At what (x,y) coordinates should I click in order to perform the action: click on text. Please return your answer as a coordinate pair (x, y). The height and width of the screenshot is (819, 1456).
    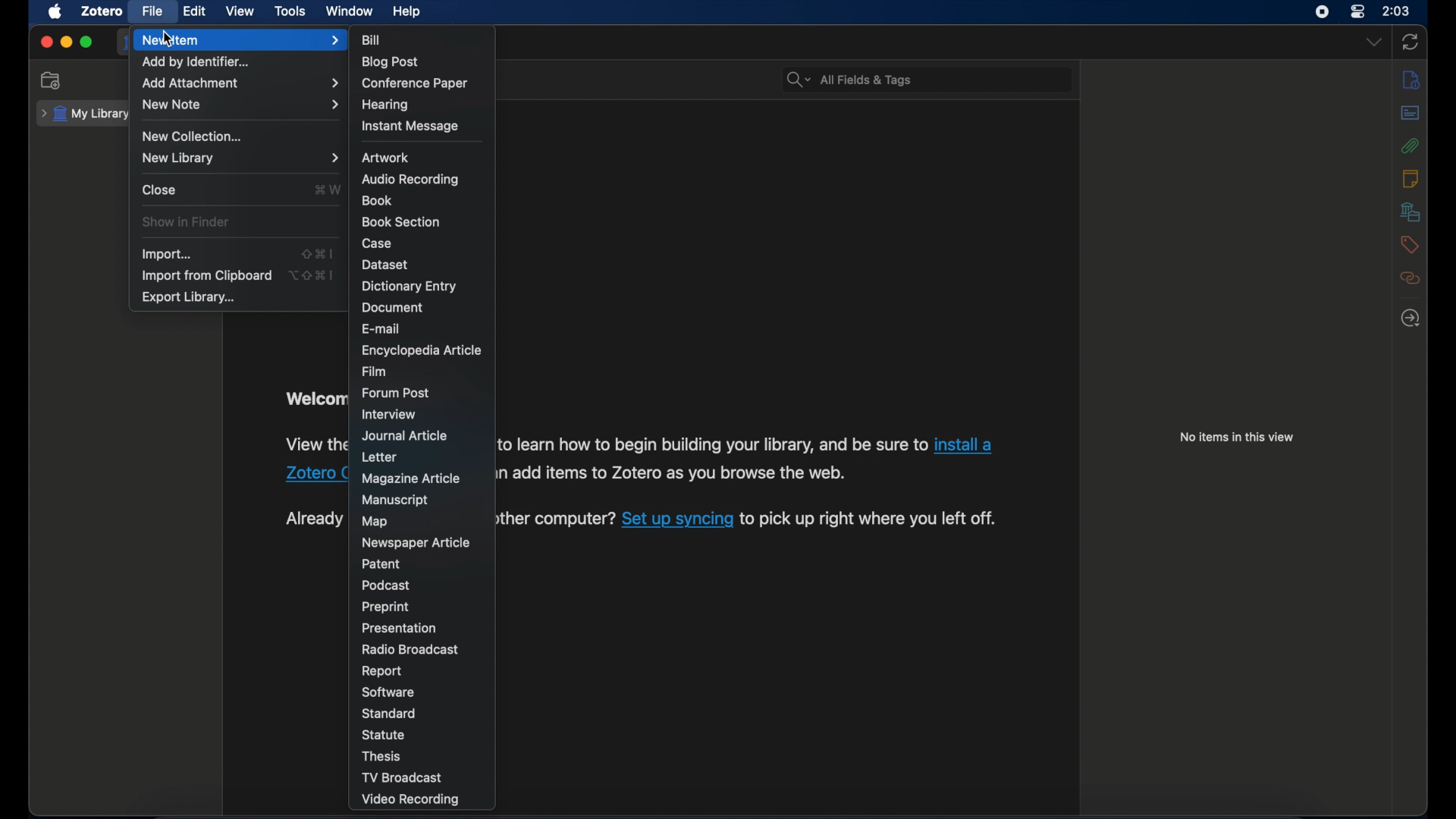
    Looking at the image, I should click on (712, 444).